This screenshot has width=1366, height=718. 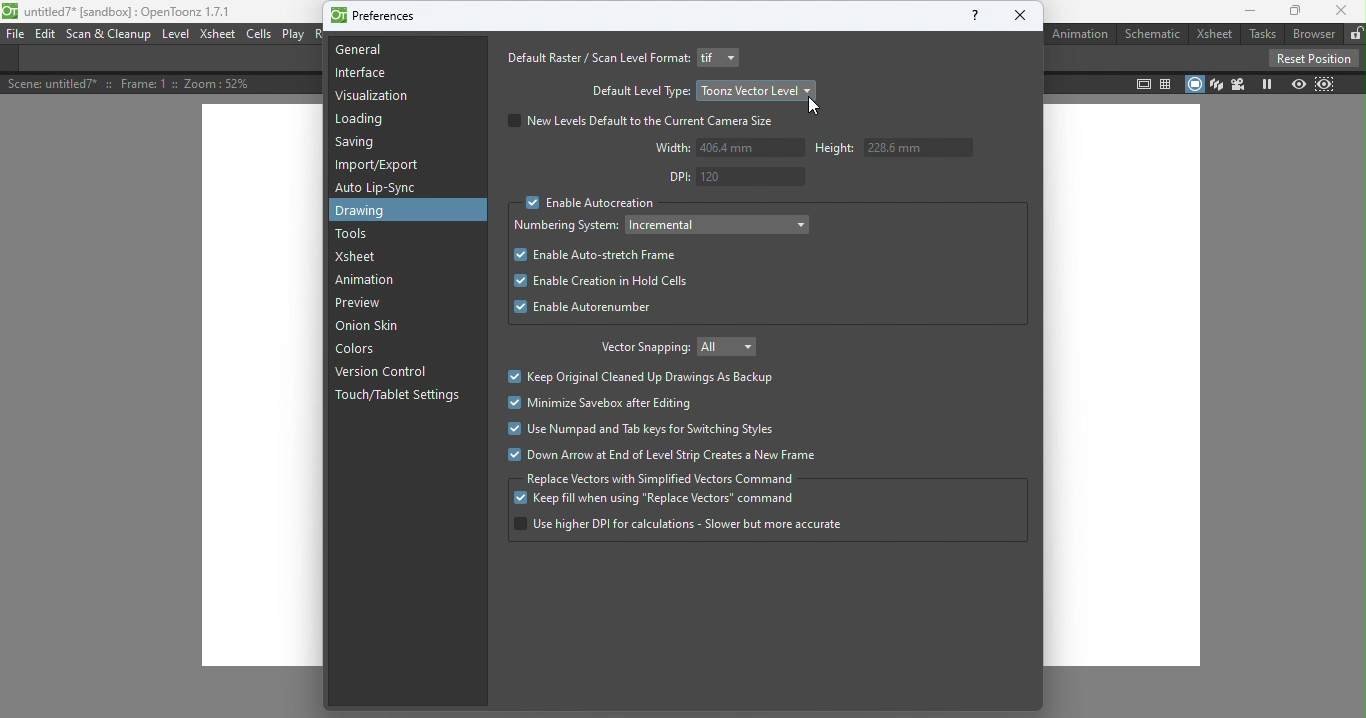 I want to click on Onion skin, so click(x=373, y=328).